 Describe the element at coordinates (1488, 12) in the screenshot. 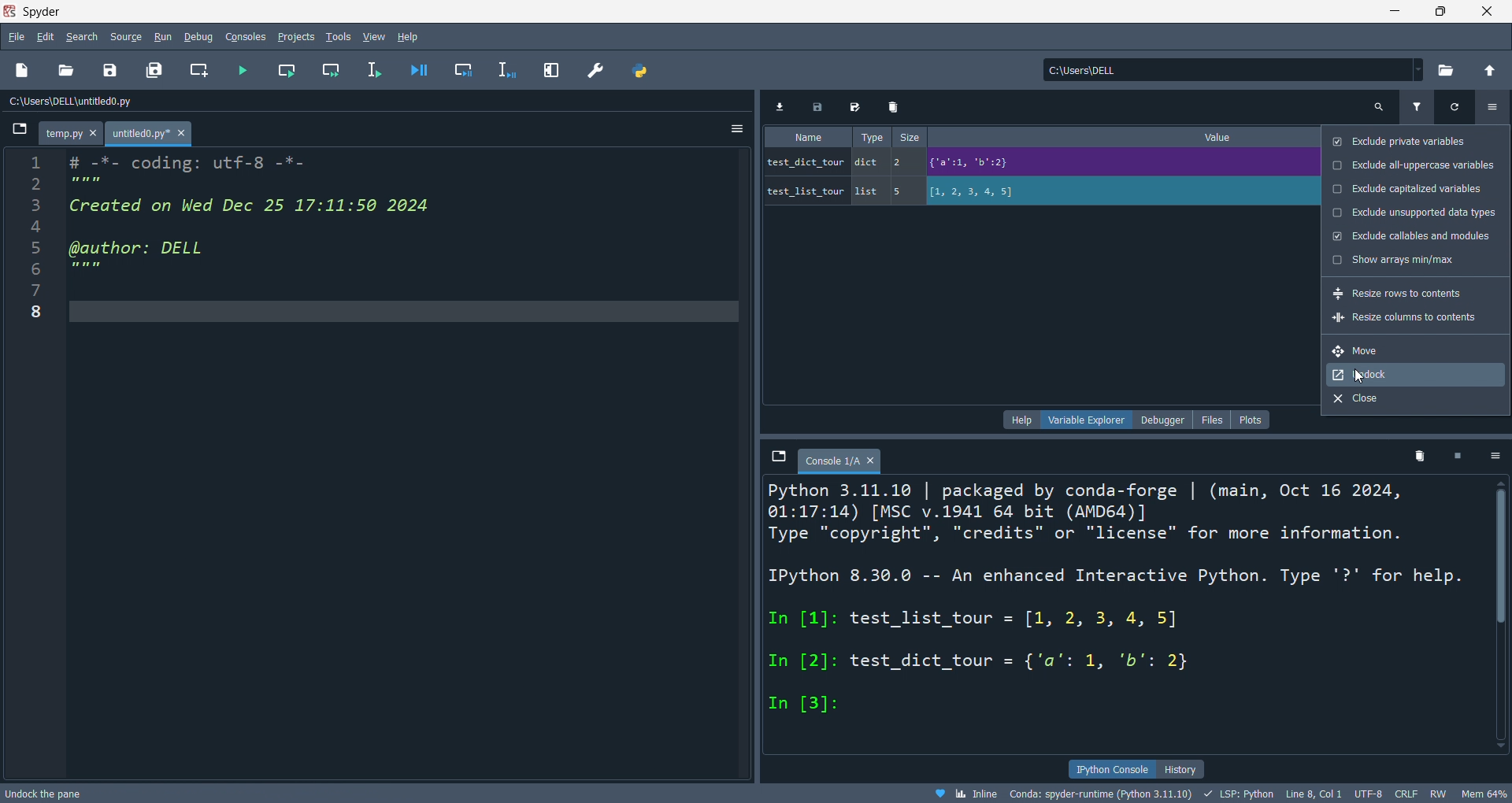

I see `close` at that location.